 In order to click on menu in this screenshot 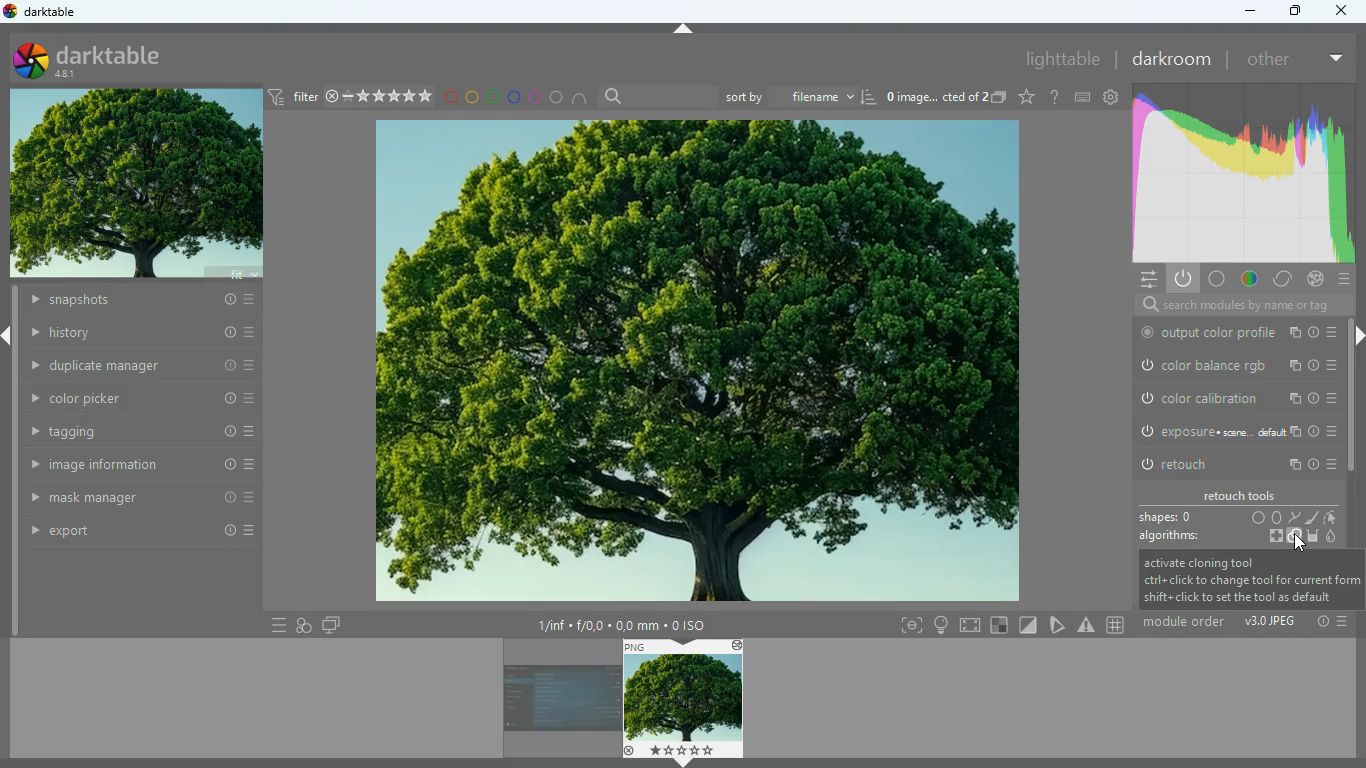, I will do `click(1342, 620)`.